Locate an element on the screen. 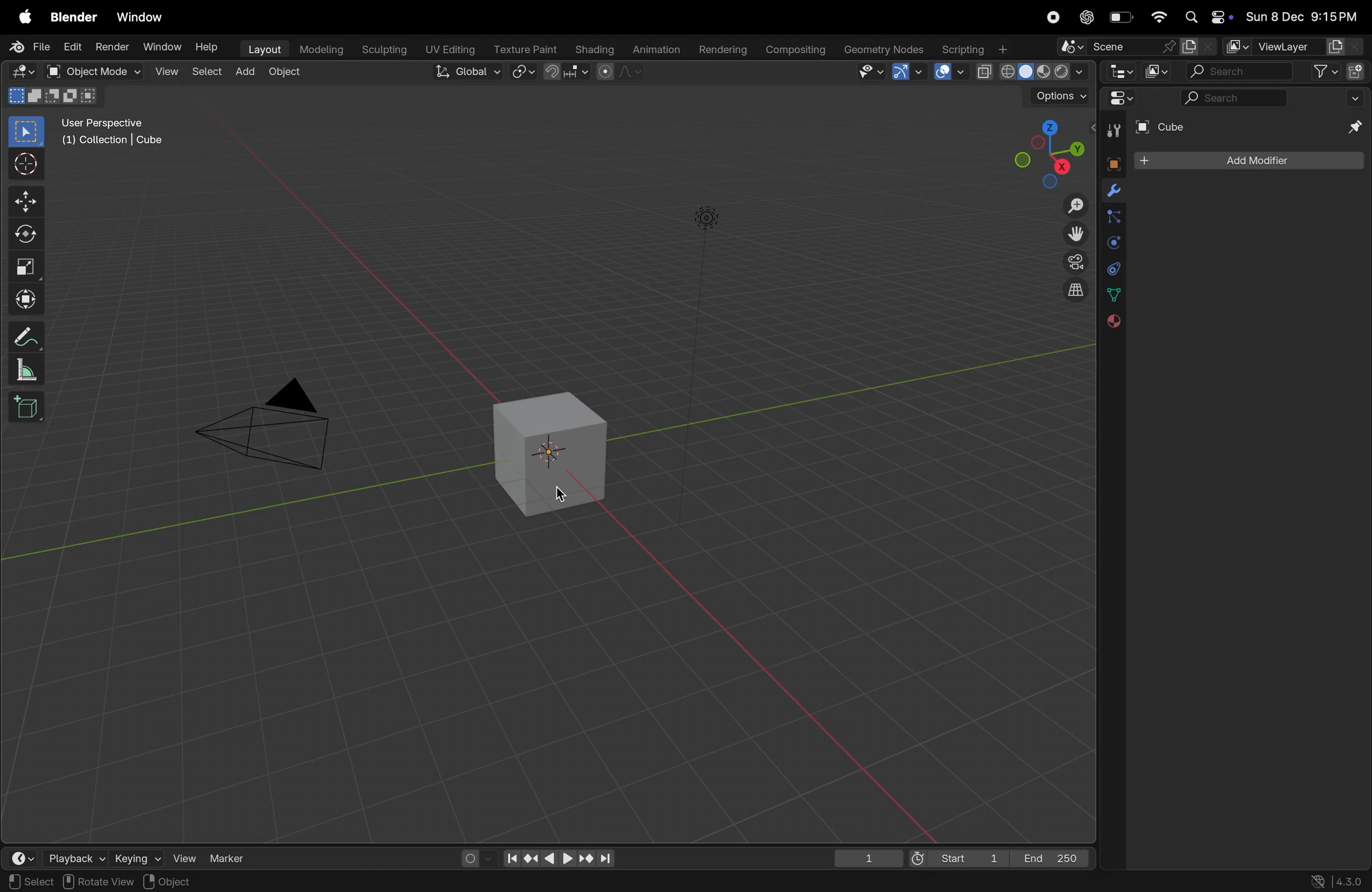 The width and height of the screenshot is (1372, 892). end 250 is located at coordinates (1053, 856).